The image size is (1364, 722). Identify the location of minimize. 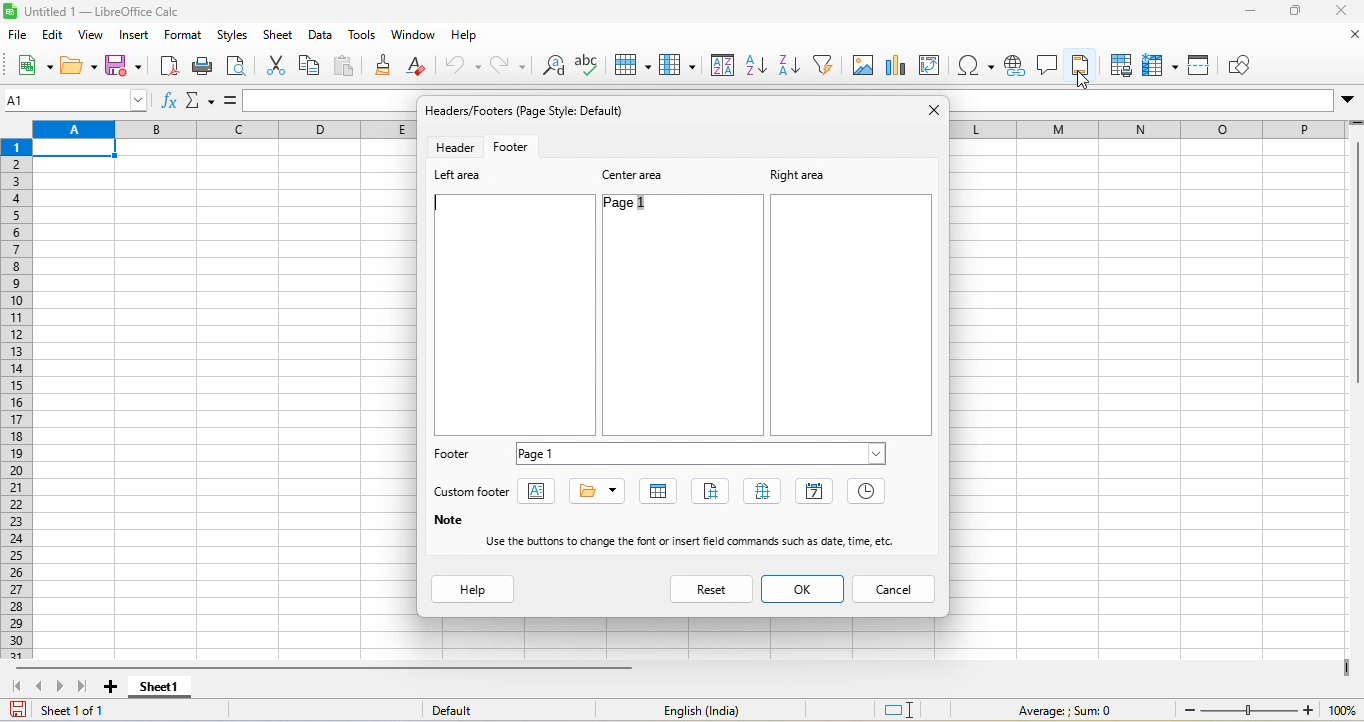
(1254, 13).